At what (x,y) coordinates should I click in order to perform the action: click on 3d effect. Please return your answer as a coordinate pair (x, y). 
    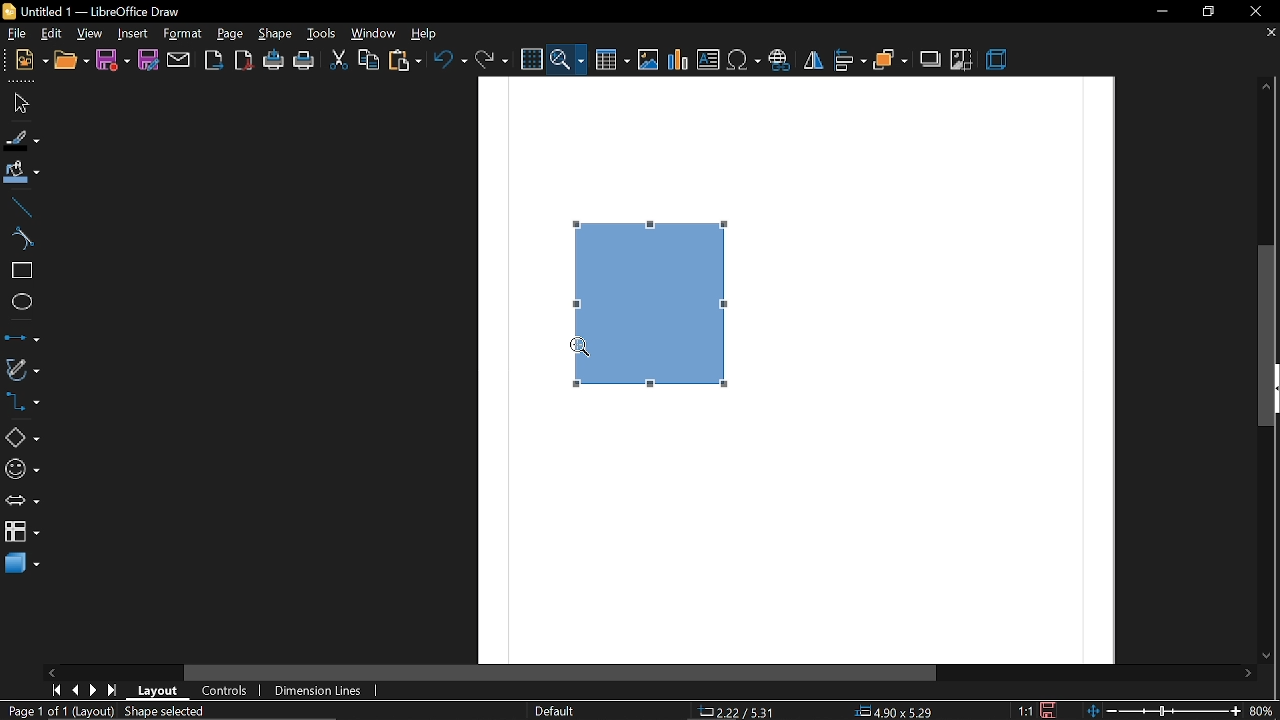
    Looking at the image, I should click on (998, 61).